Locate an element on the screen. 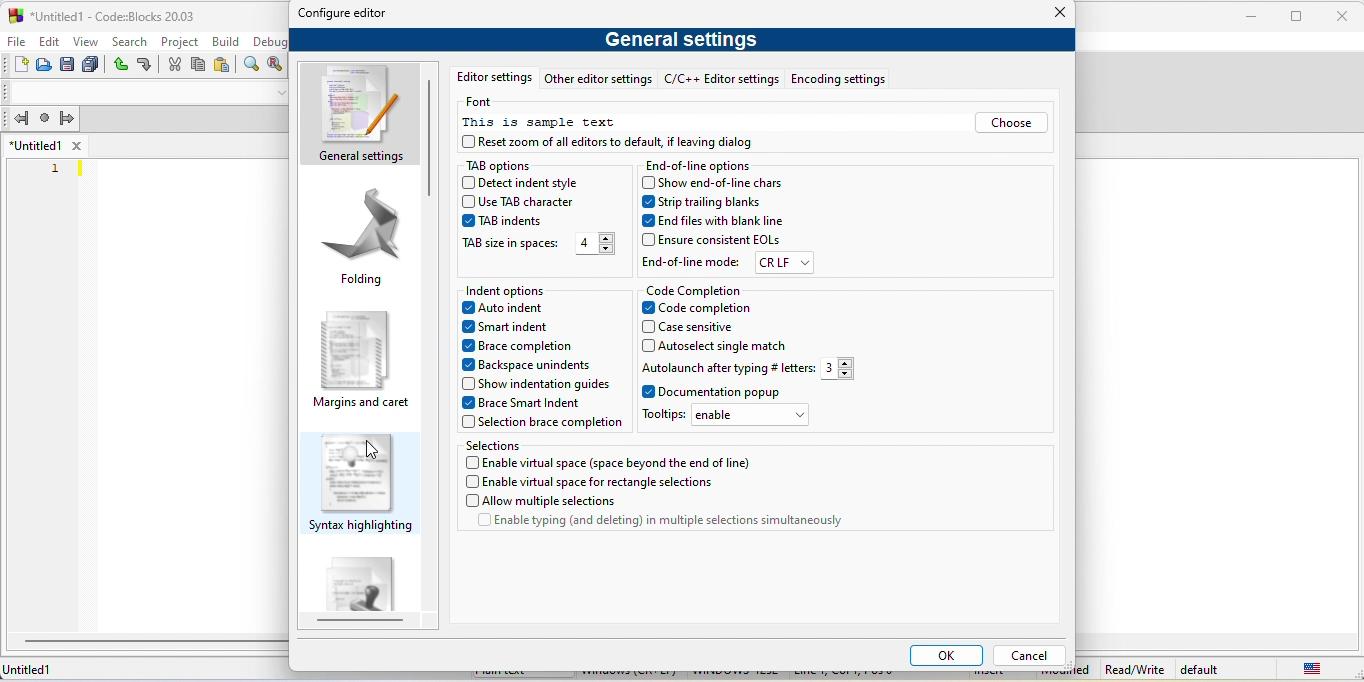  configure editor is located at coordinates (356, 14).